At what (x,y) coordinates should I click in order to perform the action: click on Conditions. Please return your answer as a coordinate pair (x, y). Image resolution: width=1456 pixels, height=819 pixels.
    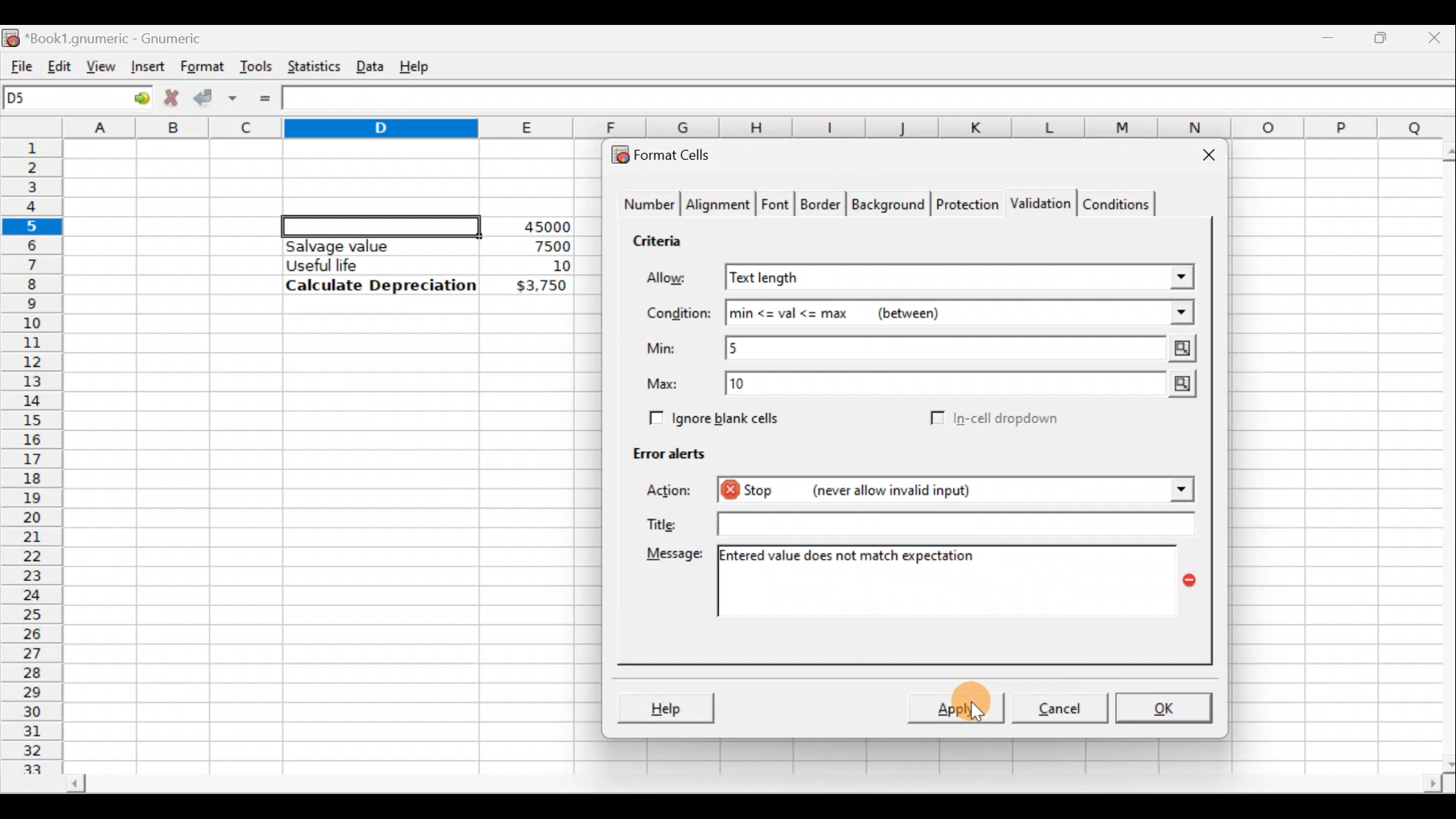
    Looking at the image, I should click on (1116, 203).